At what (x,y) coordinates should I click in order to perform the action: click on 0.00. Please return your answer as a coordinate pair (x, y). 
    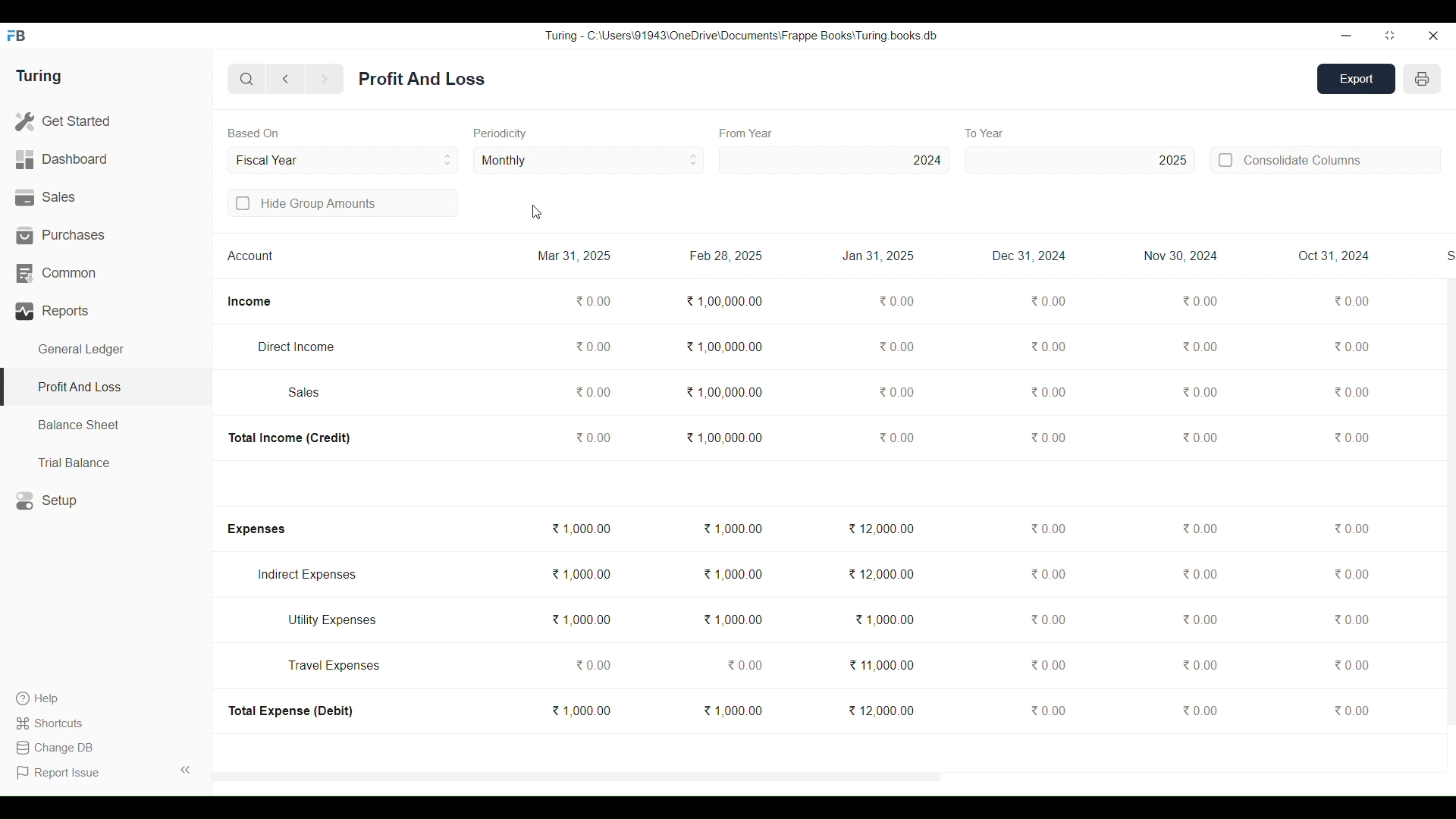
    Looking at the image, I should click on (592, 391).